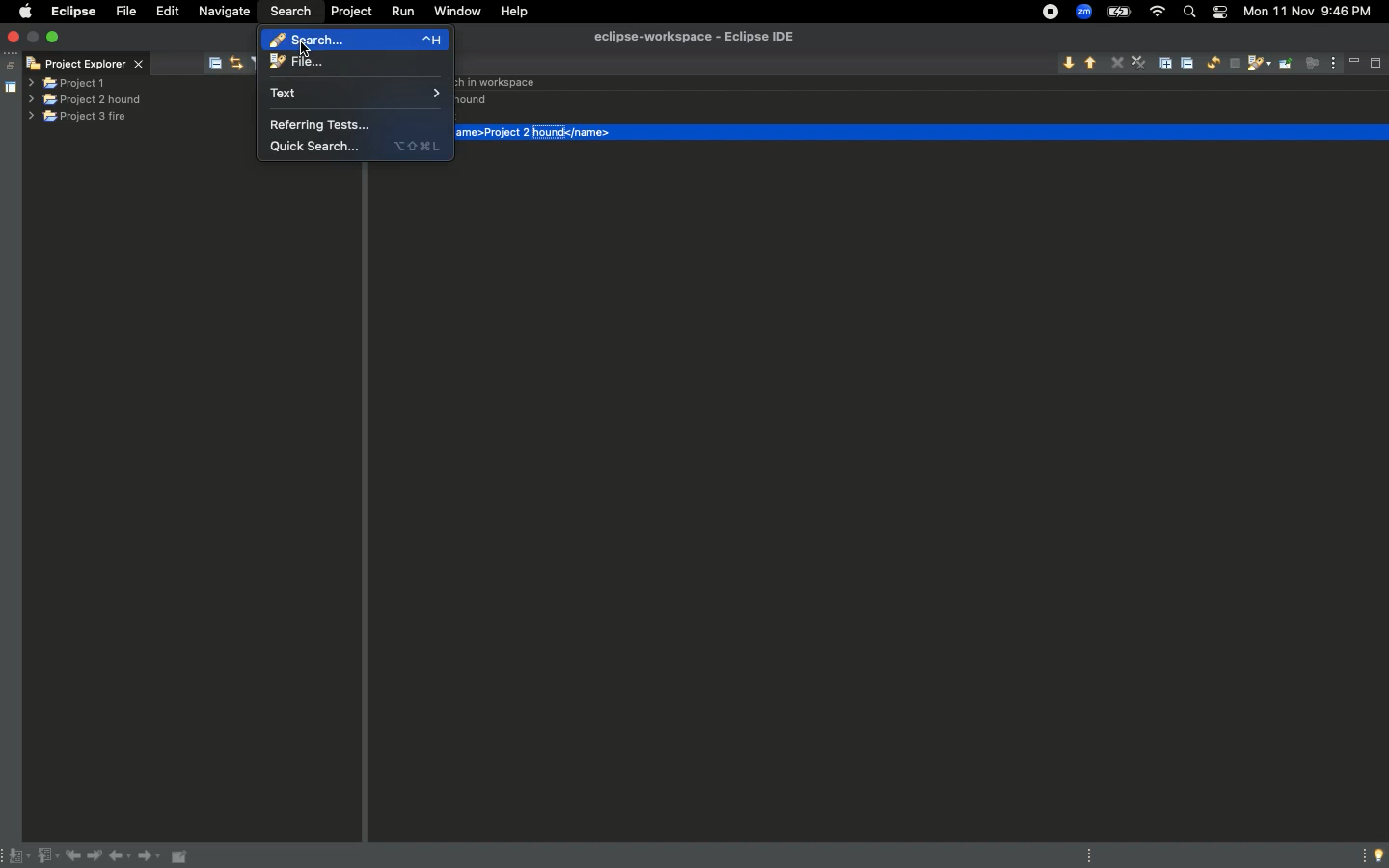  I want to click on Collapse all, so click(1190, 66).